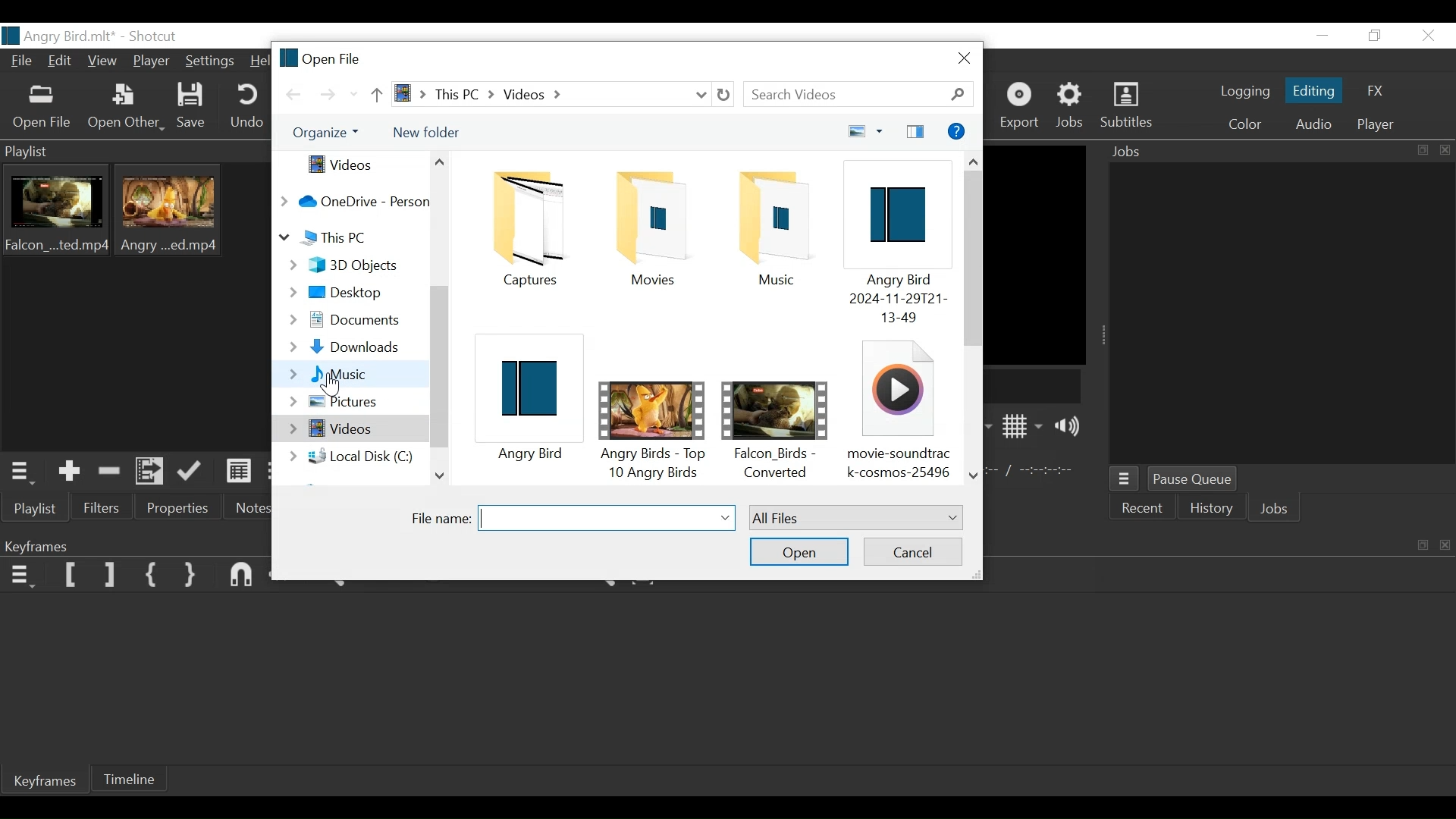 The height and width of the screenshot is (819, 1456). What do you see at coordinates (440, 162) in the screenshot?
I see `Scroll Up` at bounding box center [440, 162].